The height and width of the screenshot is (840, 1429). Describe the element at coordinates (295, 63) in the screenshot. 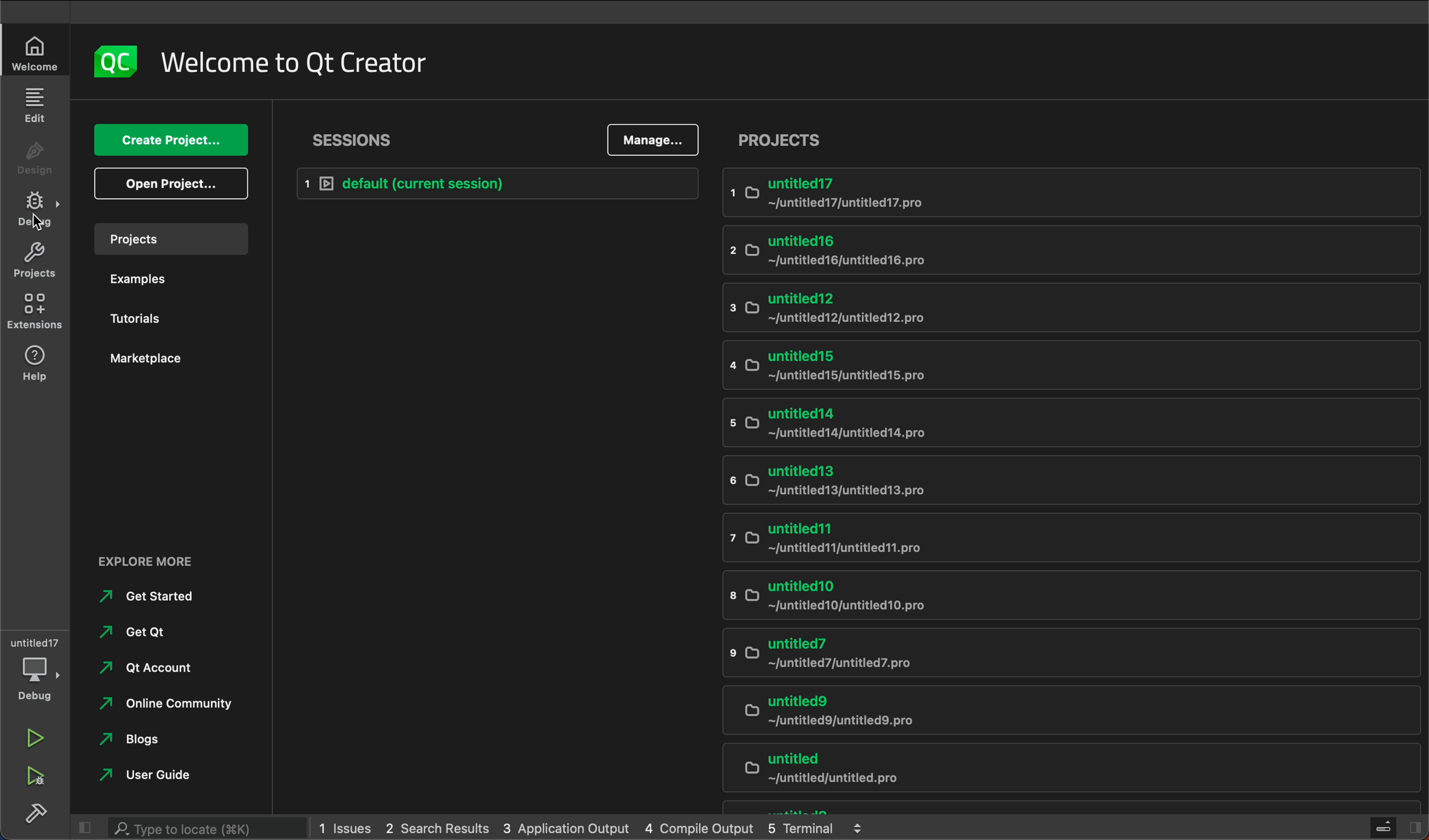

I see `Welcome to QT Creator` at that location.